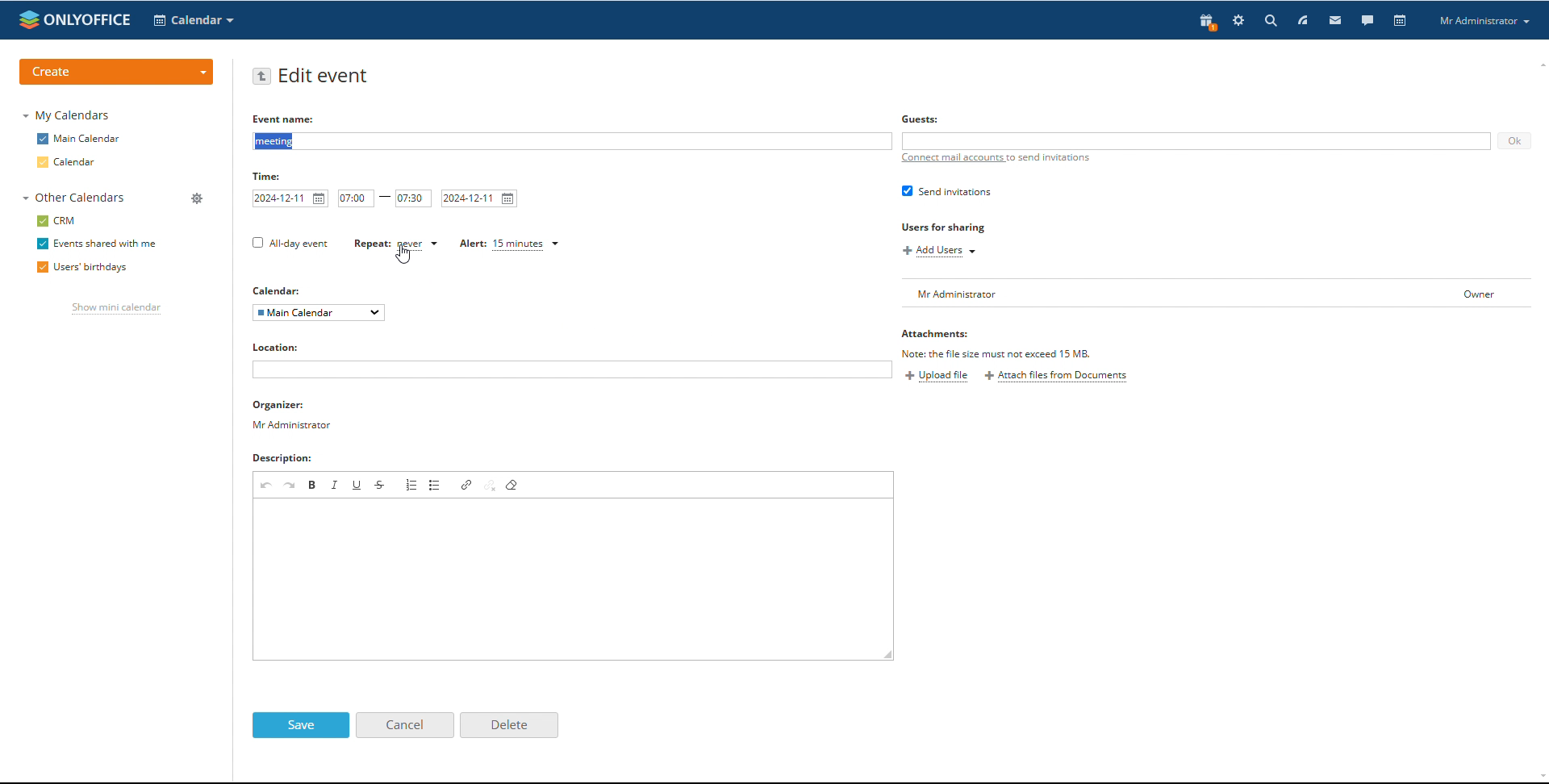 The height and width of the screenshot is (784, 1549). Describe the element at coordinates (67, 162) in the screenshot. I see `calendar` at that location.